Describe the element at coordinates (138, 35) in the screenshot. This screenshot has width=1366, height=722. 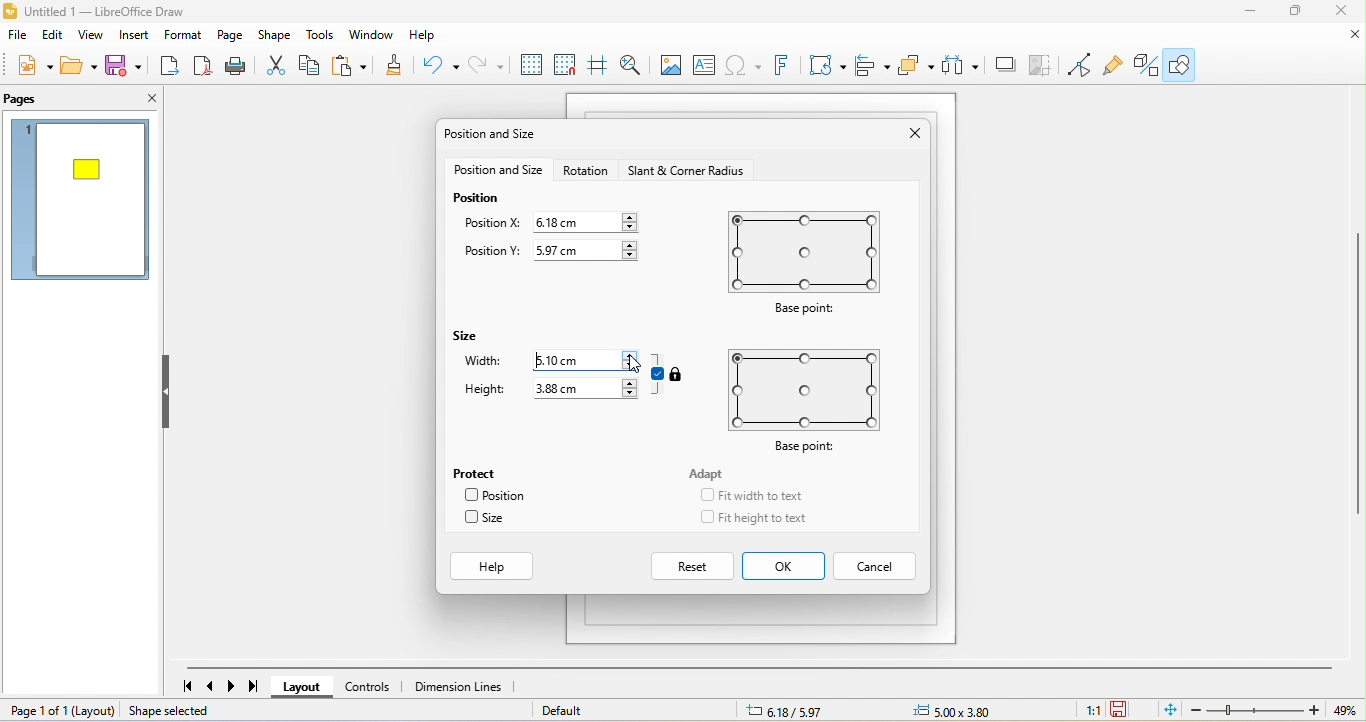
I see `insert` at that location.